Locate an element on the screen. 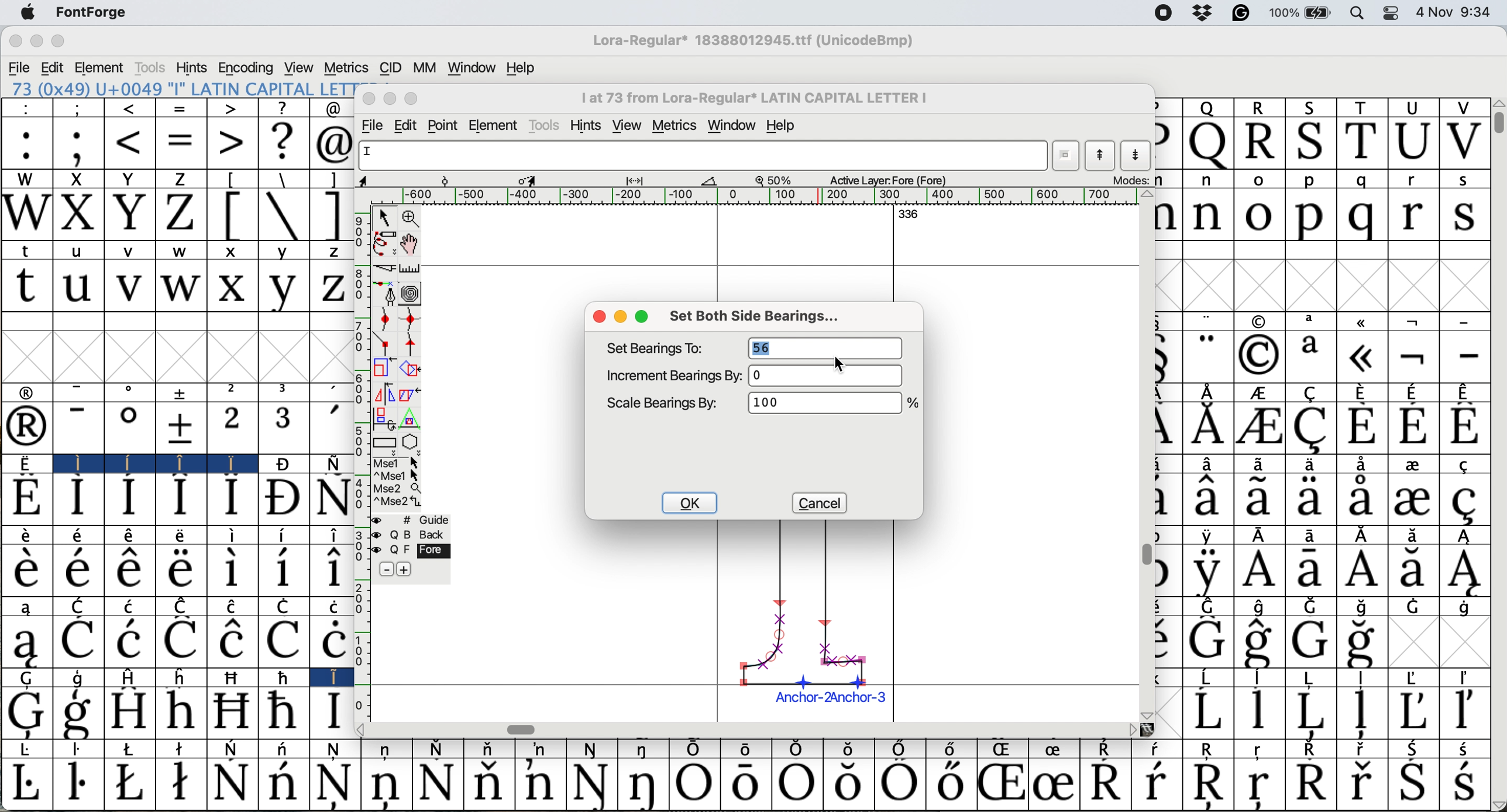 This screenshot has width=1507, height=812. s is located at coordinates (1466, 181).